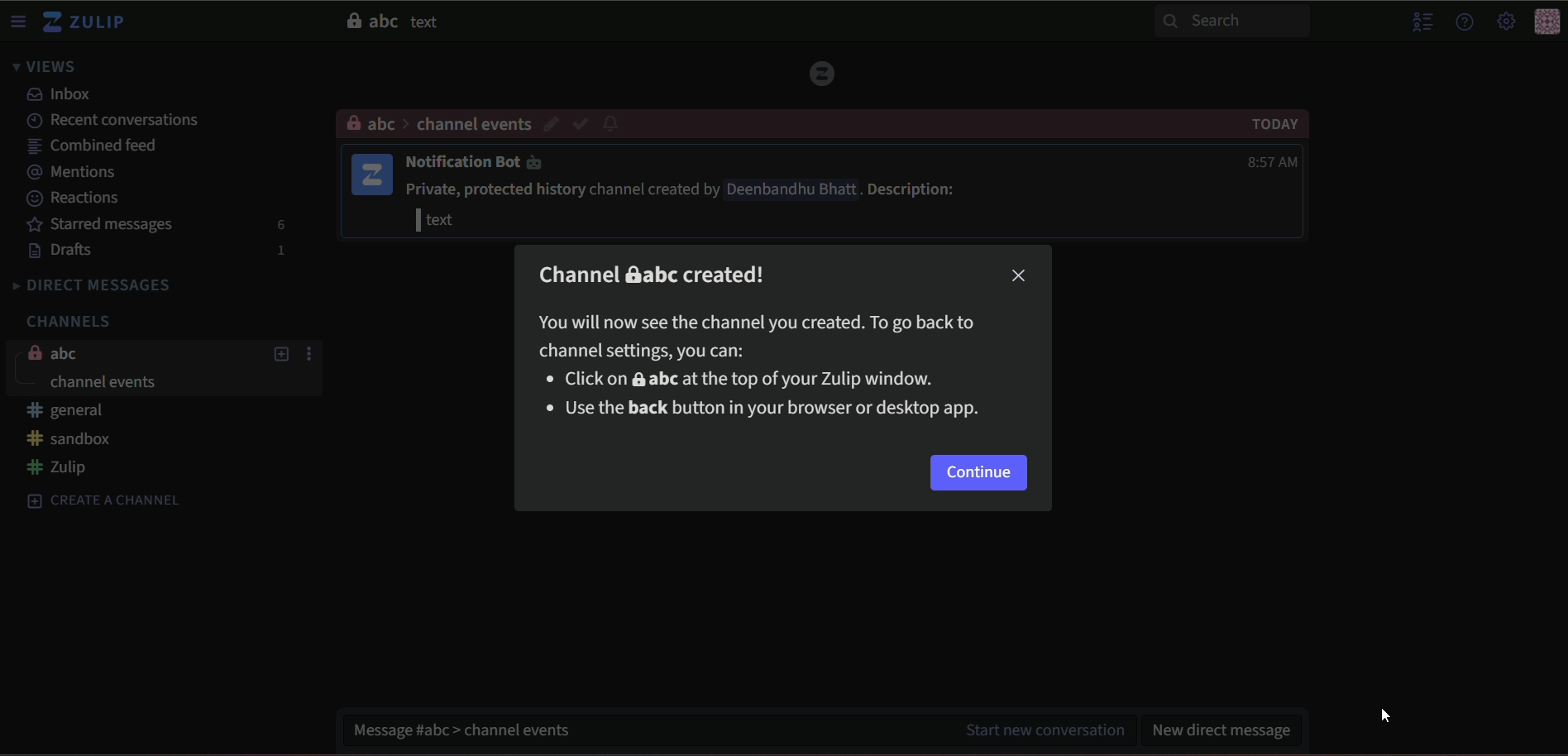  What do you see at coordinates (979, 474) in the screenshot?
I see `continue` at bounding box center [979, 474].